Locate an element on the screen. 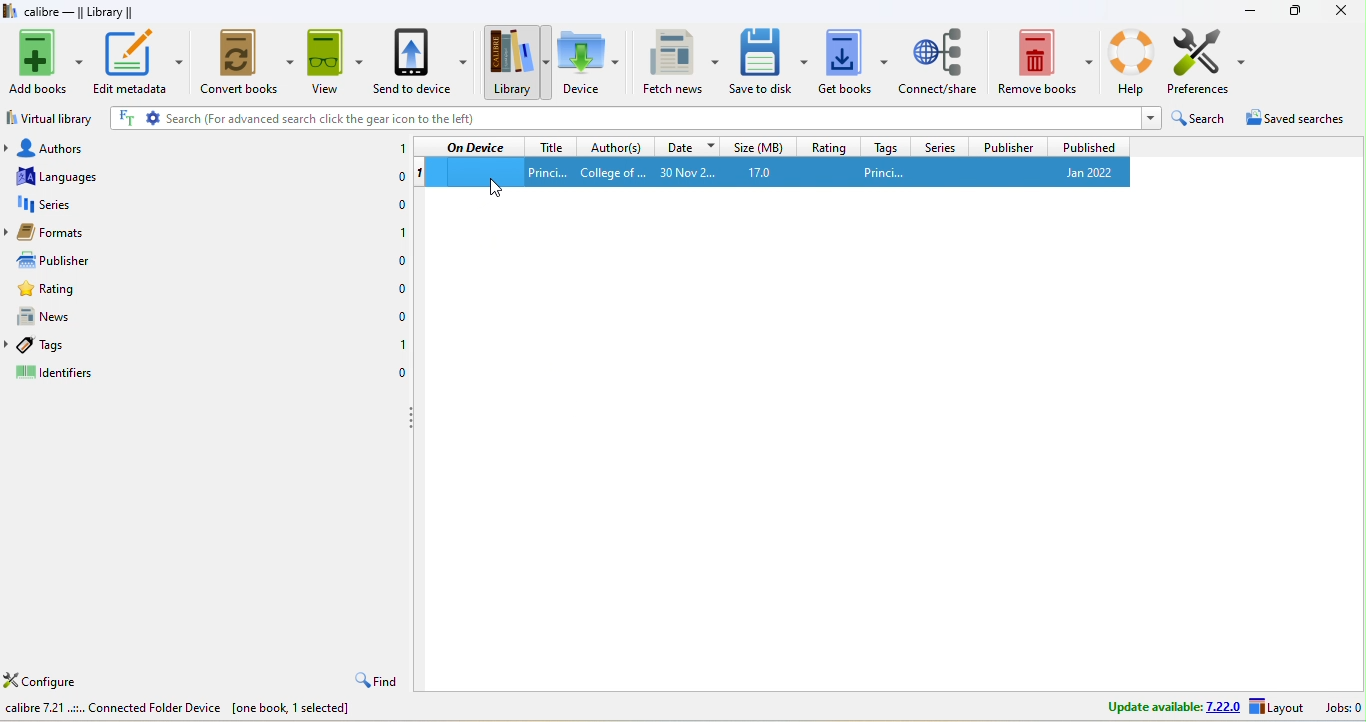 The height and width of the screenshot is (722, 1366). find is located at coordinates (374, 681).